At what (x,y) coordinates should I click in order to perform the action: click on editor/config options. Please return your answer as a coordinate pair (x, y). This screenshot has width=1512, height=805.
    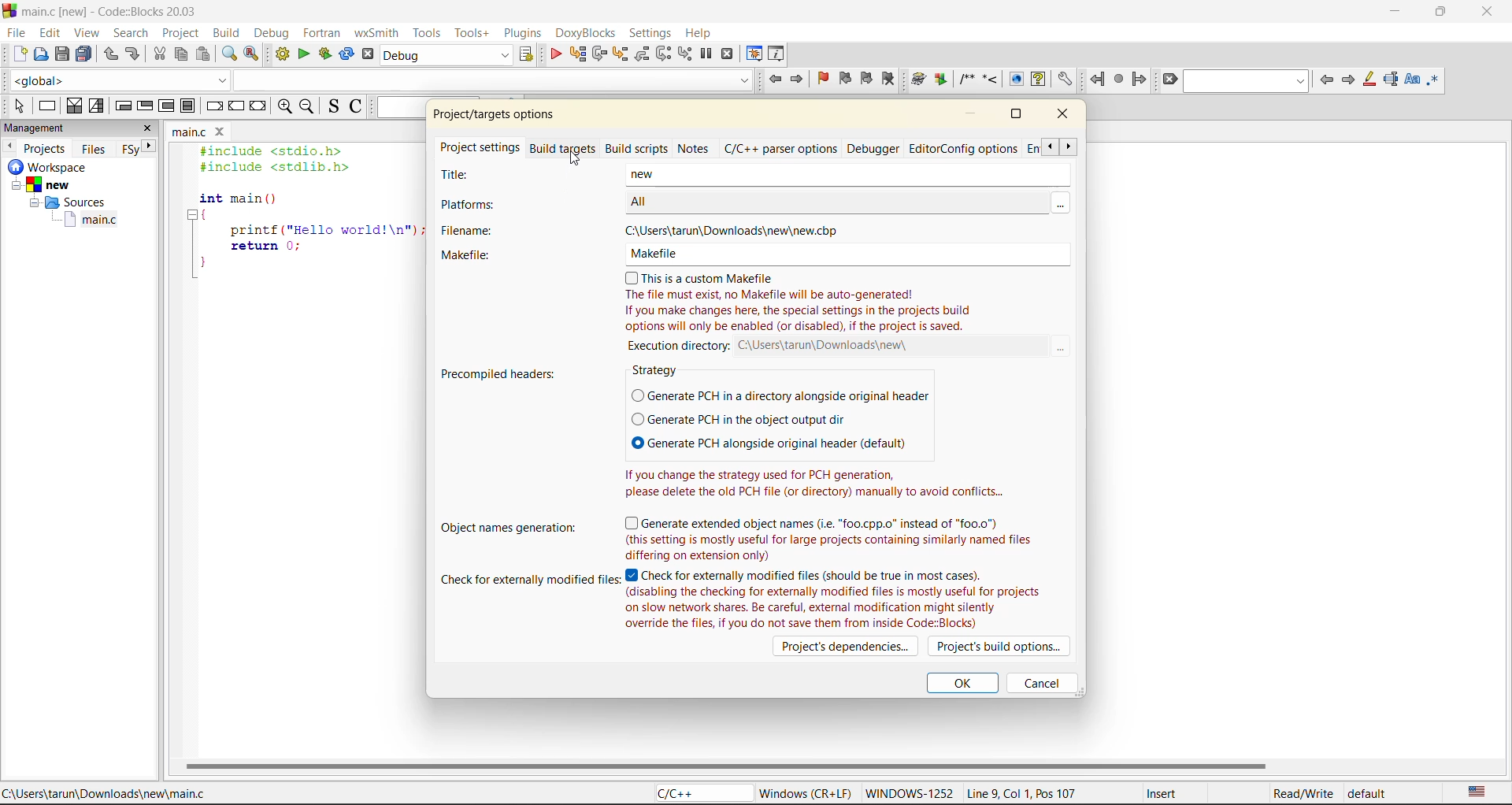
    Looking at the image, I should click on (963, 150).